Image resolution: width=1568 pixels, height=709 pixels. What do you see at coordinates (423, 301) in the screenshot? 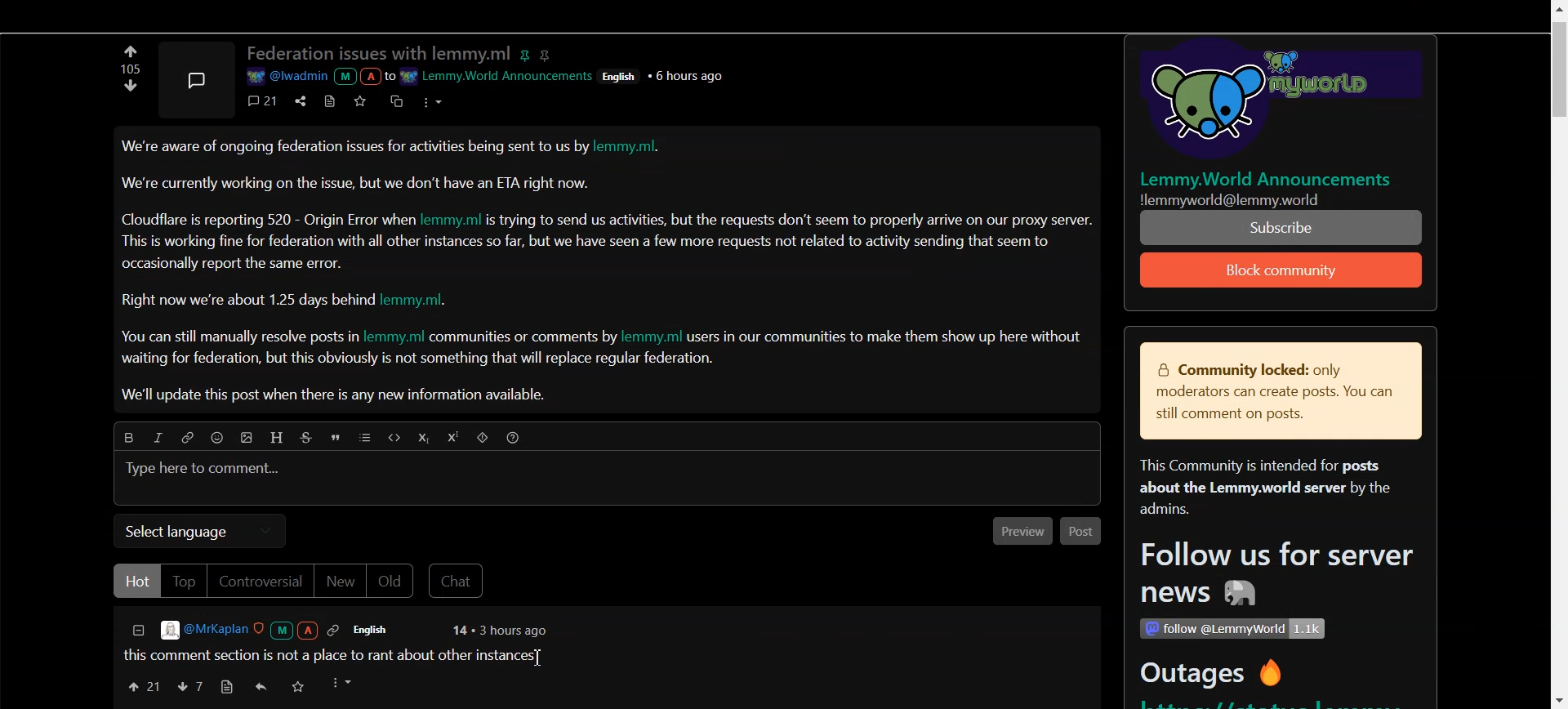
I see `lemmy.ml.` at bounding box center [423, 301].